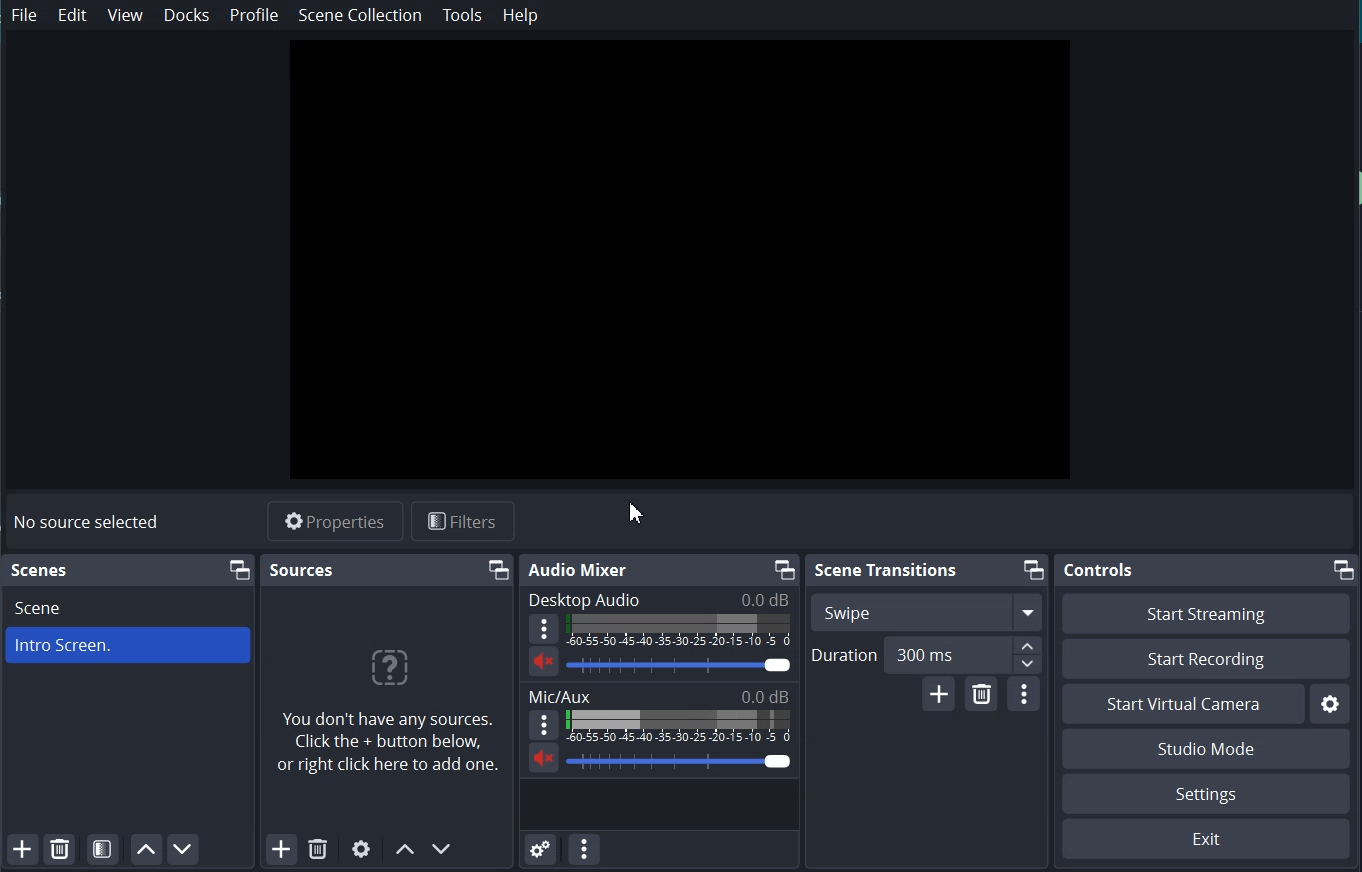 This screenshot has width=1362, height=872. Describe the element at coordinates (443, 849) in the screenshot. I see `Move scene Down` at that location.